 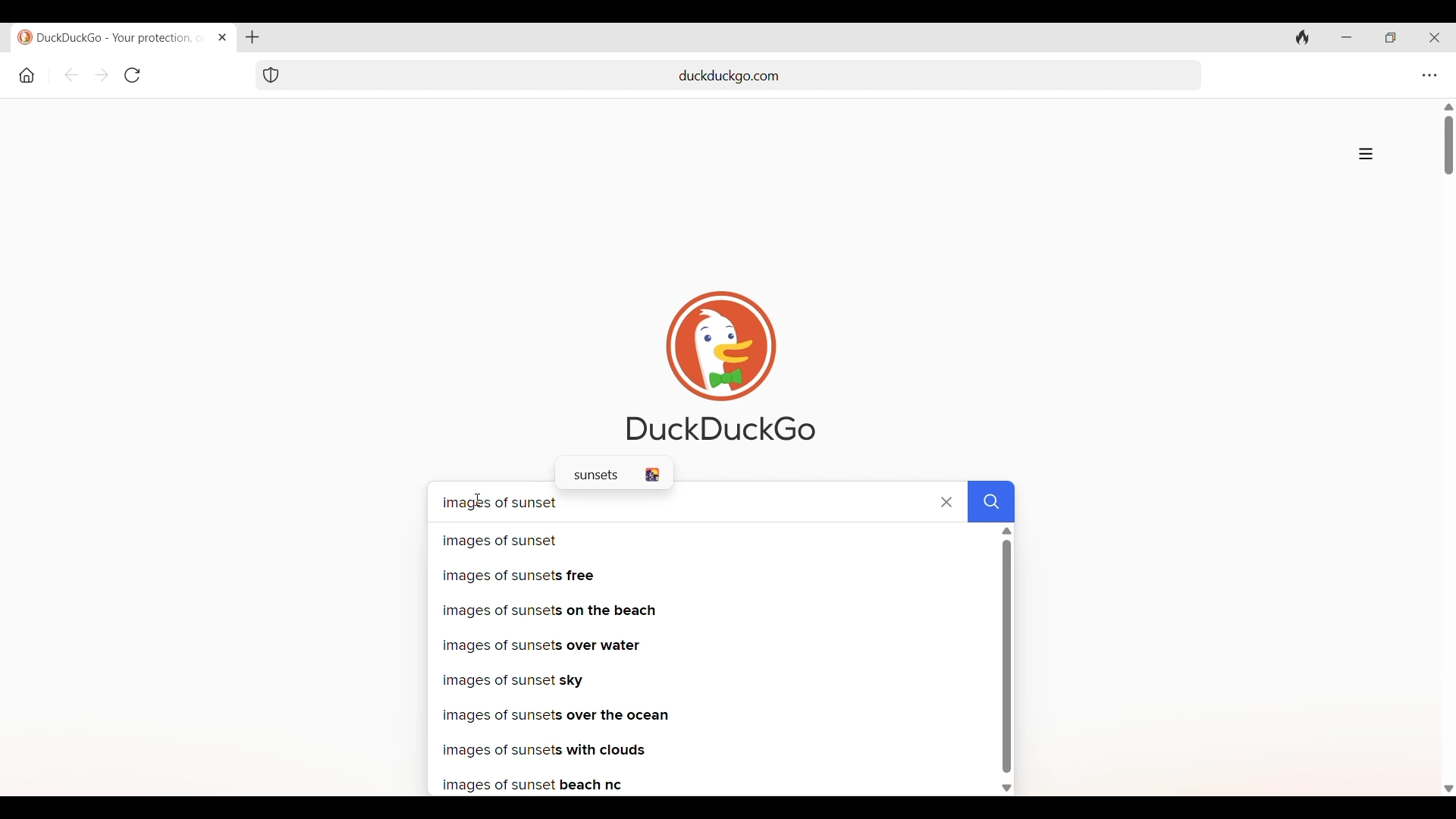 What do you see at coordinates (614, 474) in the screenshot?
I see `Search word option` at bounding box center [614, 474].